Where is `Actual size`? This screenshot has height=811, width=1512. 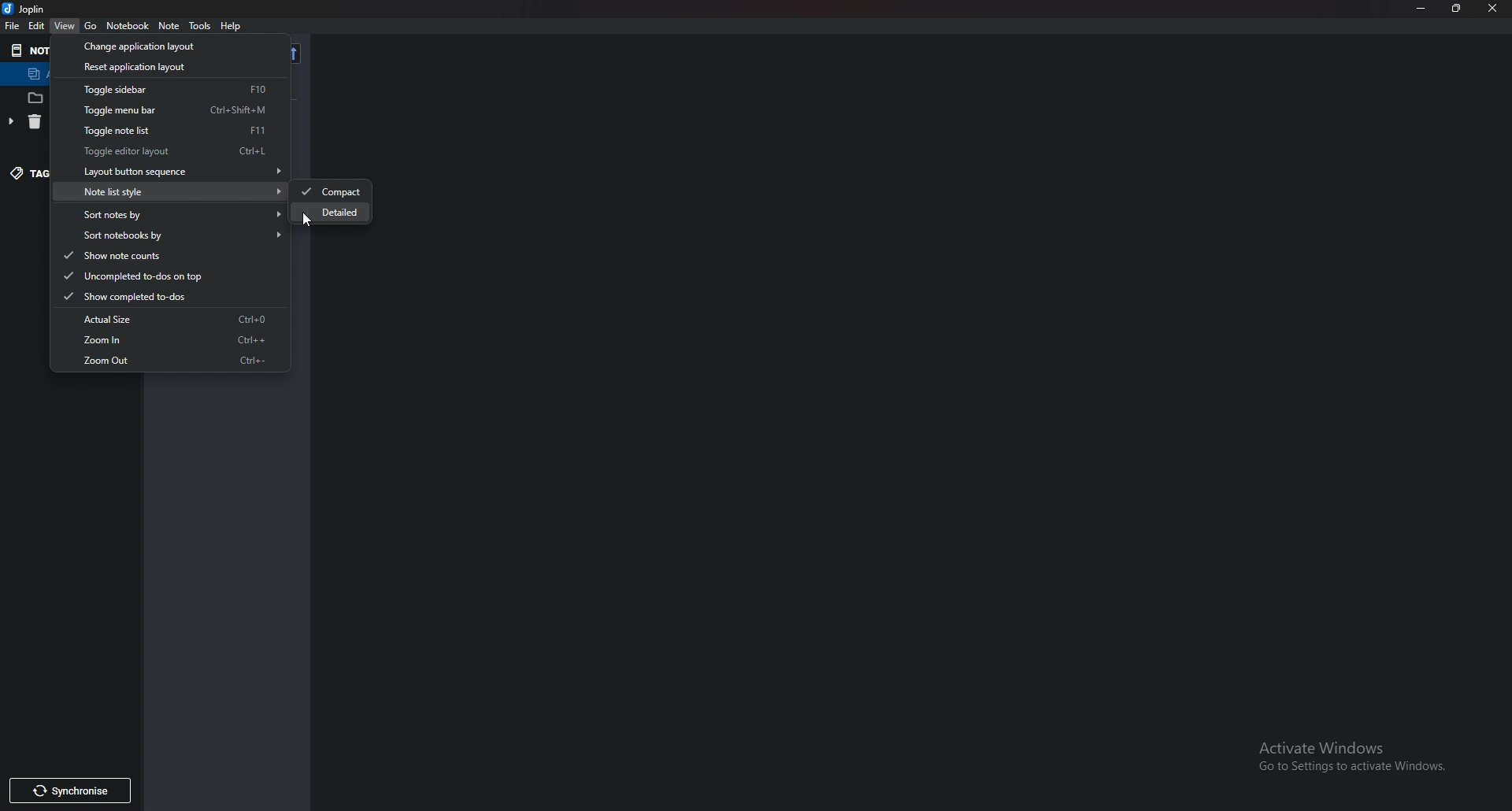 Actual size is located at coordinates (168, 318).